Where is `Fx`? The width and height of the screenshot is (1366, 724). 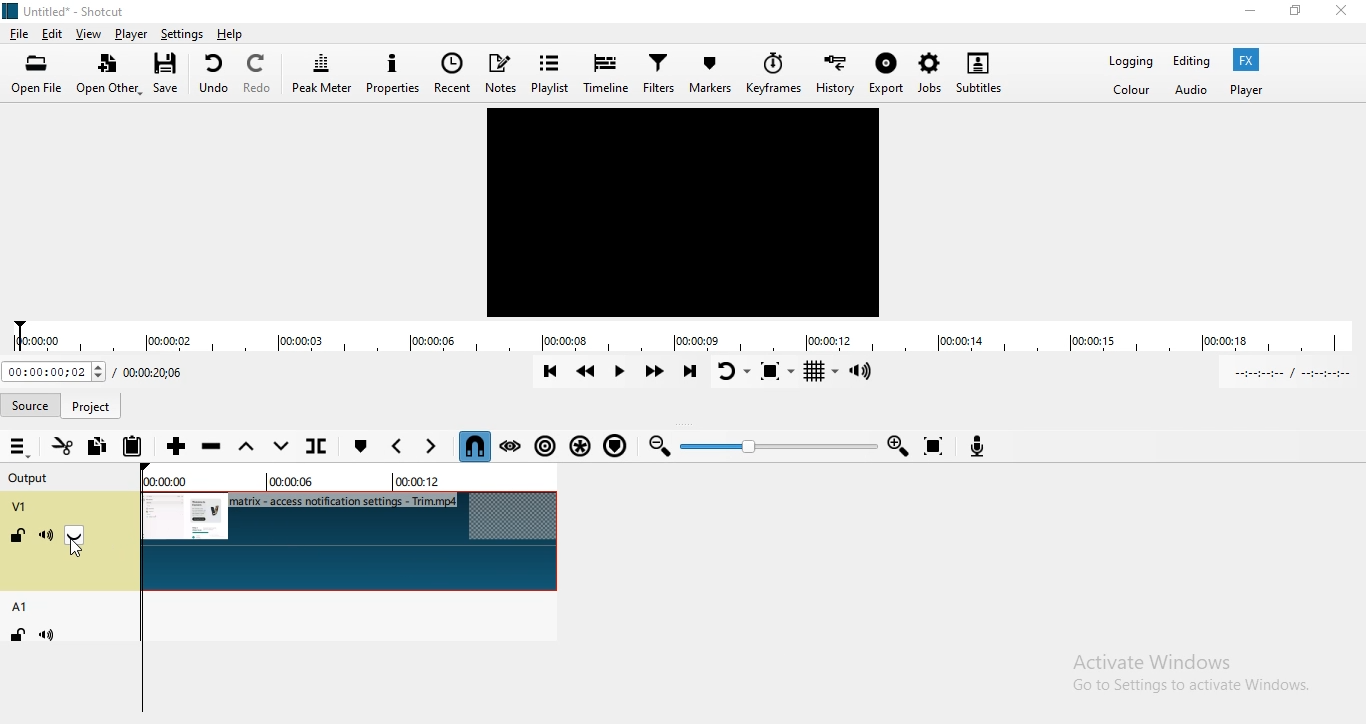
Fx is located at coordinates (1249, 60).